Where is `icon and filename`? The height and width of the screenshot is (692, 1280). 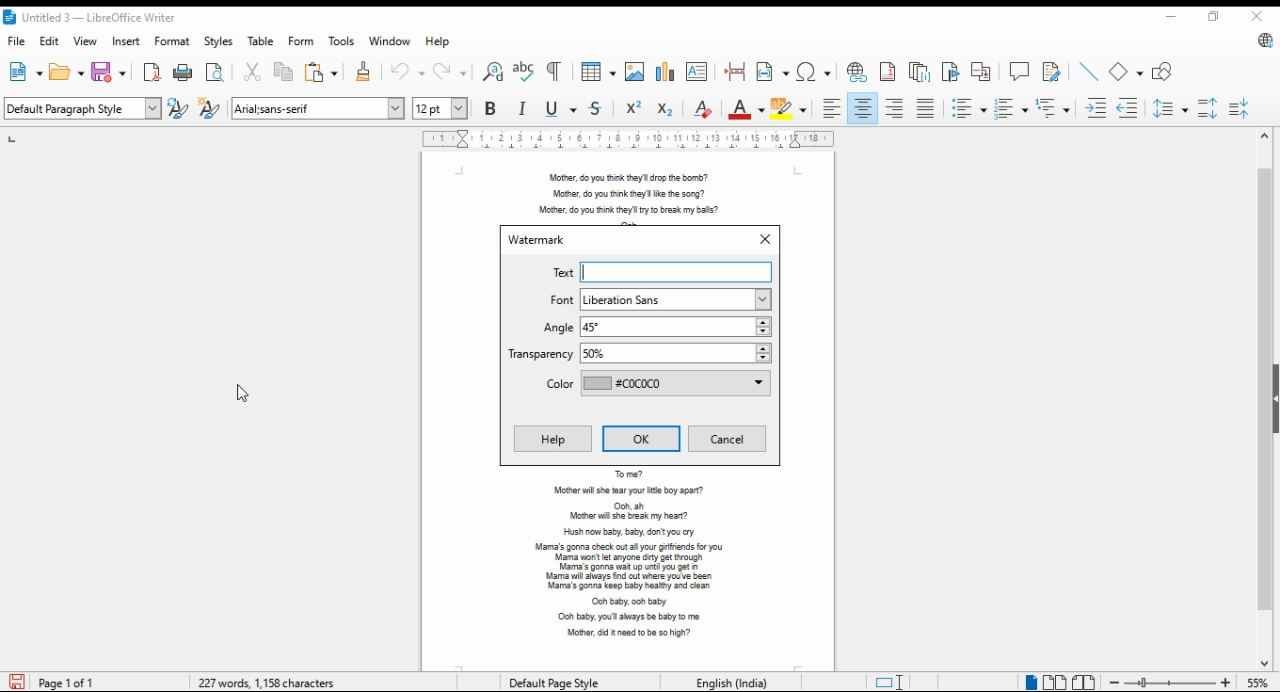
icon and filename is located at coordinates (108, 17).